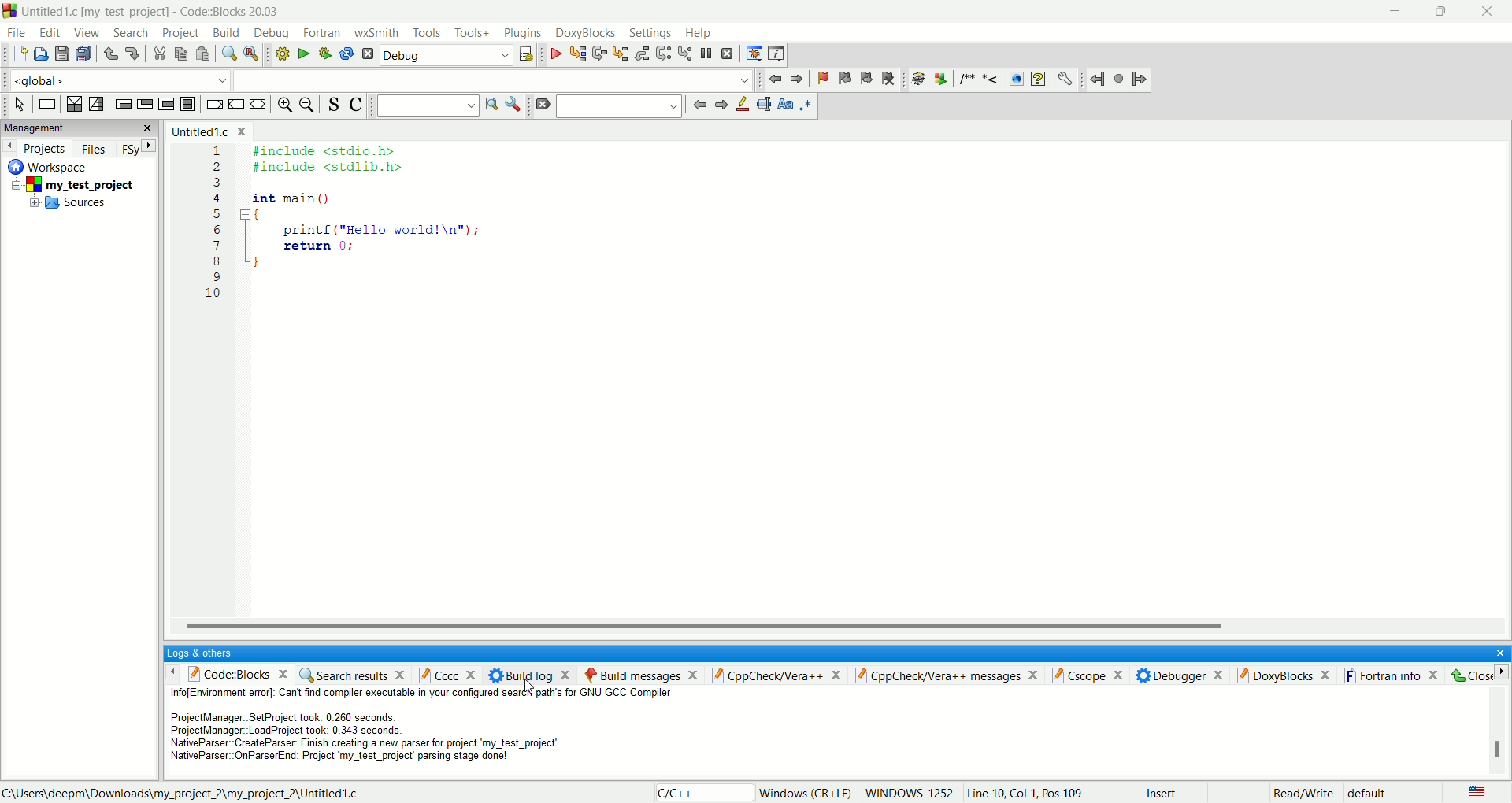  Describe the element at coordinates (1140, 77) in the screenshot. I see `jump forward` at that location.